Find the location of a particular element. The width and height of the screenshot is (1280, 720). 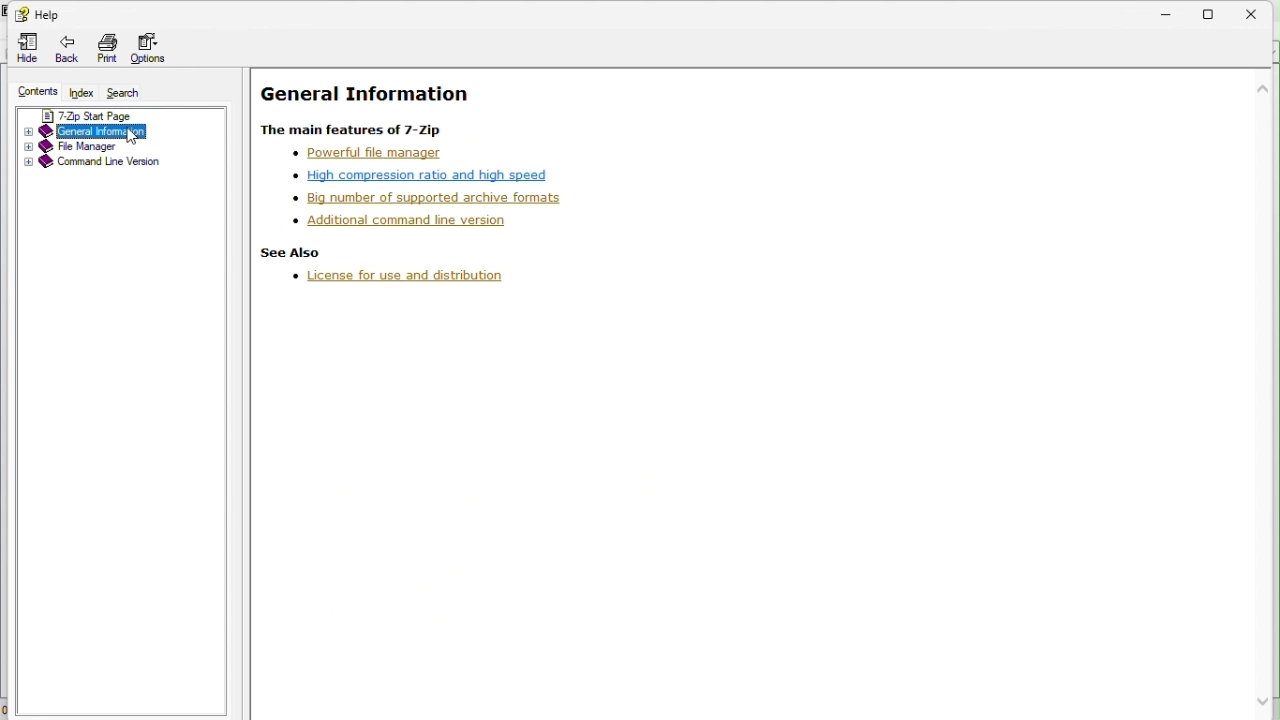

Hide is located at coordinates (22, 45).